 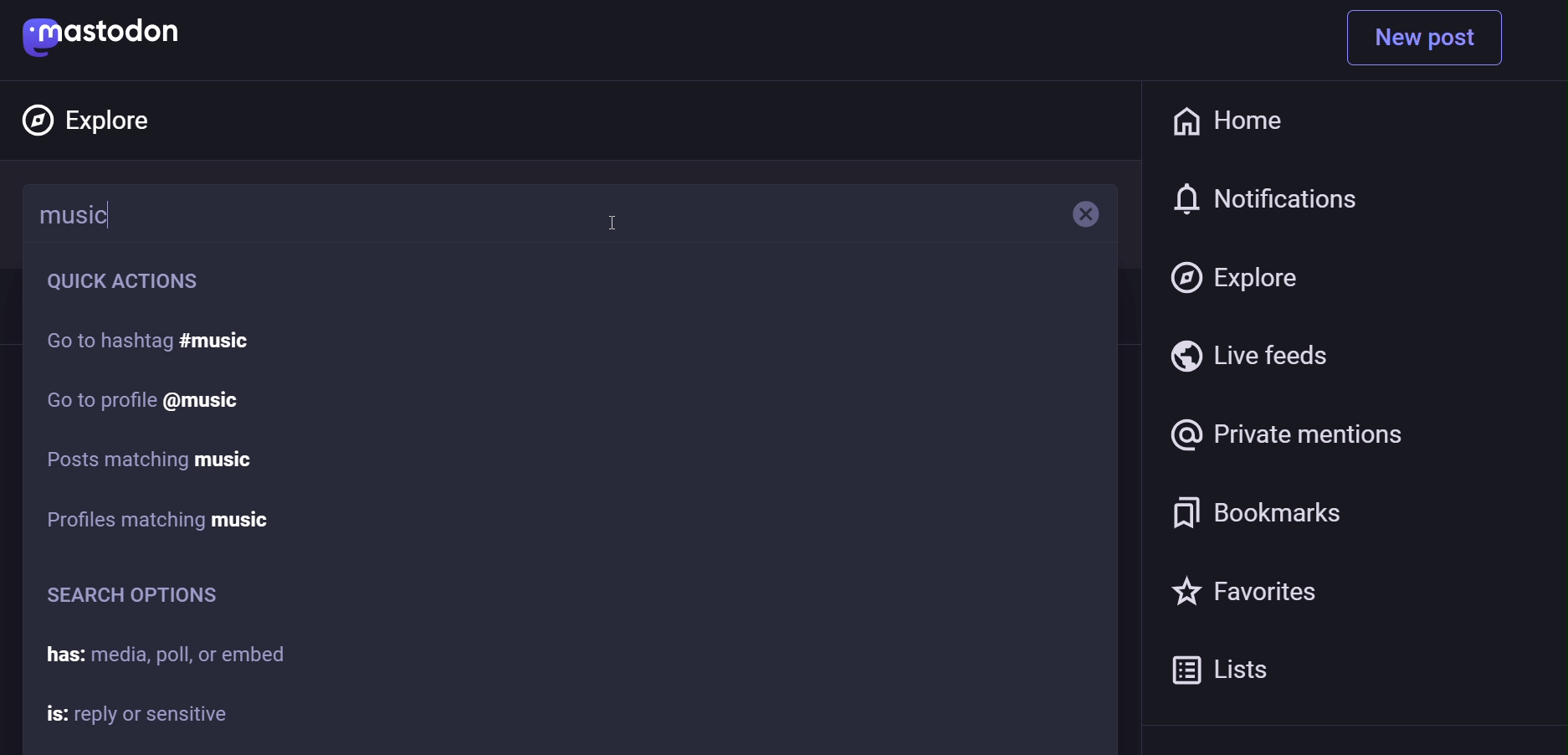 I want to click on private mention, so click(x=1284, y=434).